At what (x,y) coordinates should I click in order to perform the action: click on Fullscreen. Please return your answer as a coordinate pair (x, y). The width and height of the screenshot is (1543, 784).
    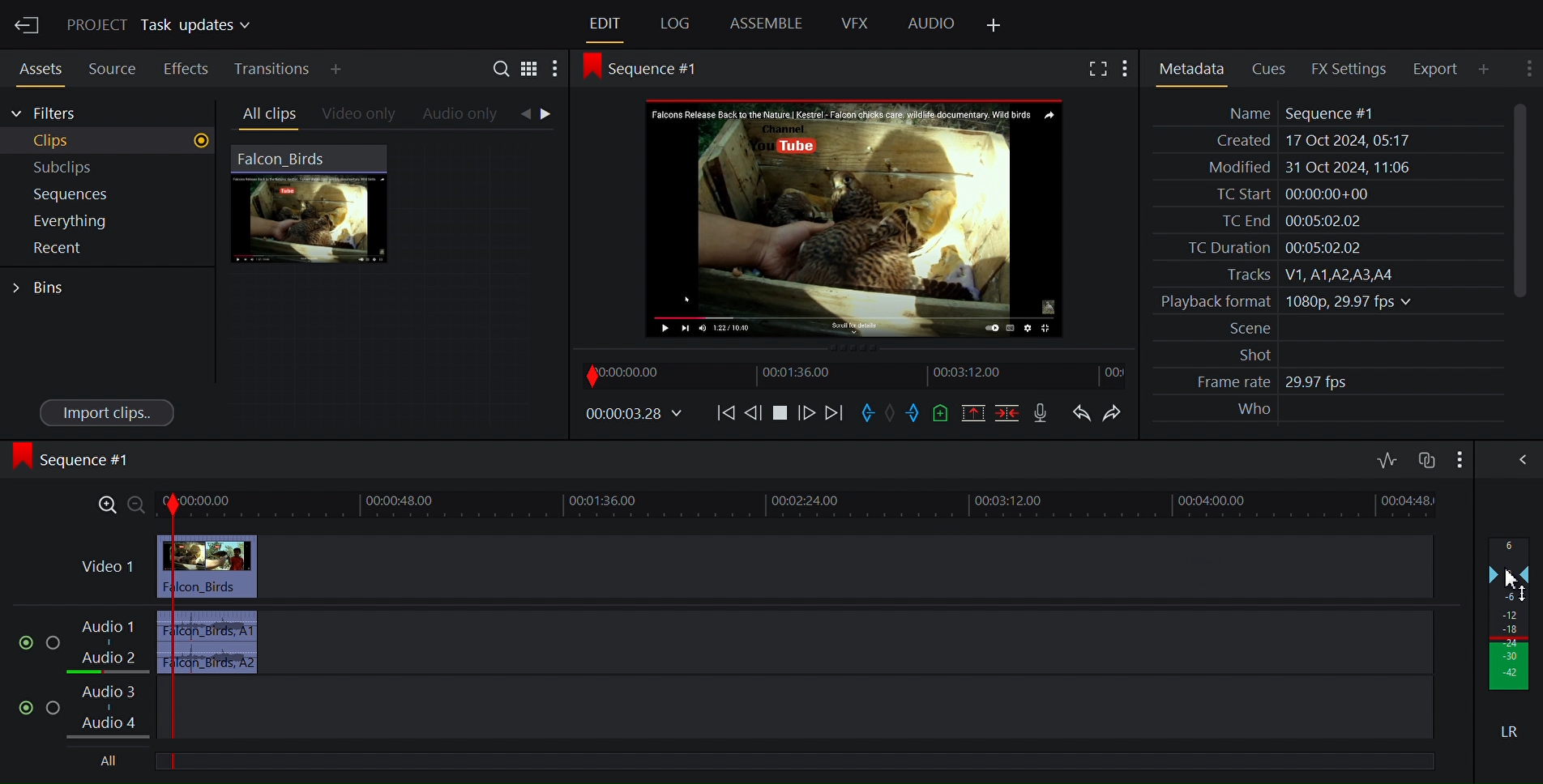
    Looking at the image, I should click on (1095, 67).